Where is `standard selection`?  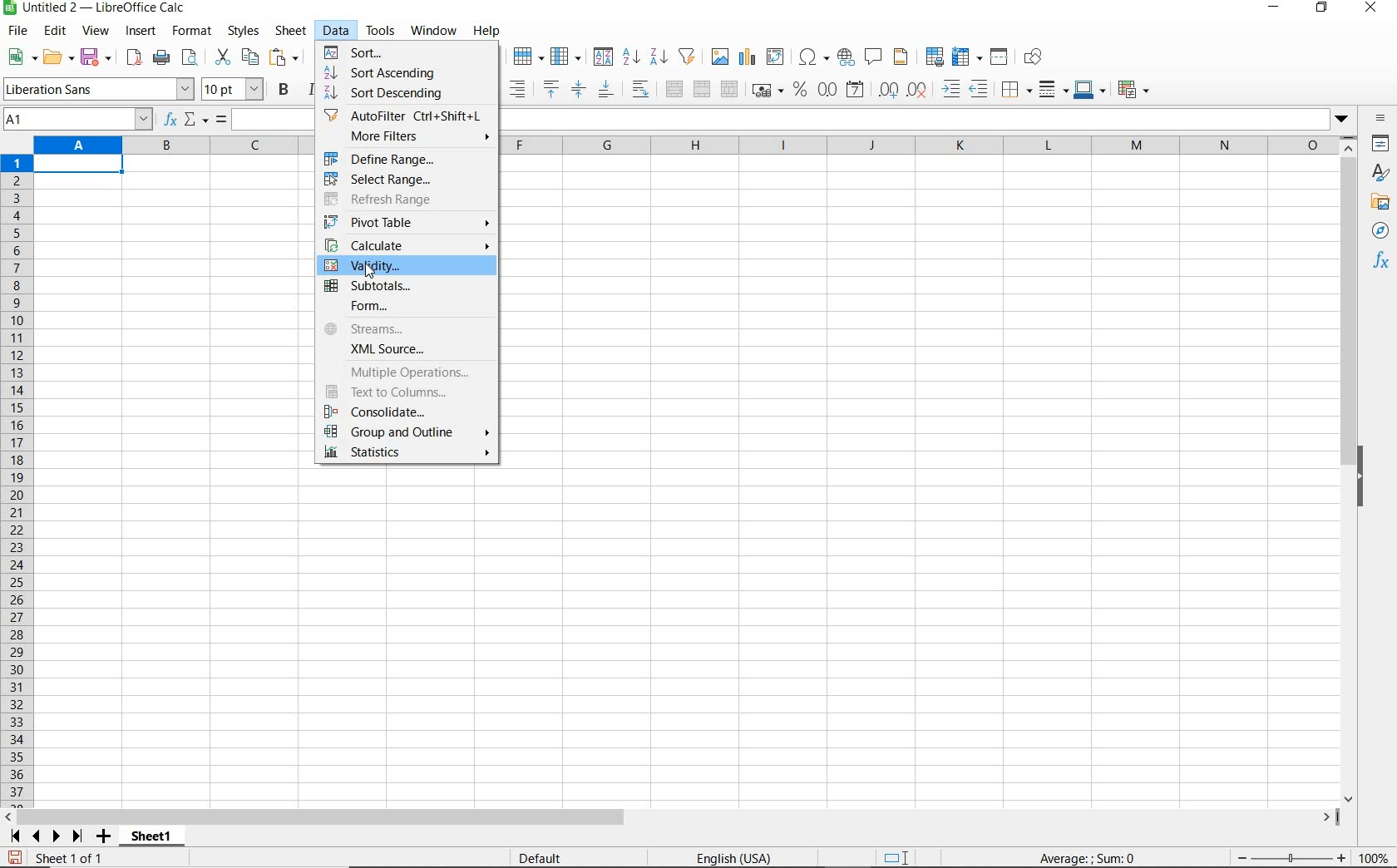
standard selection is located at coordinates (897, 859).